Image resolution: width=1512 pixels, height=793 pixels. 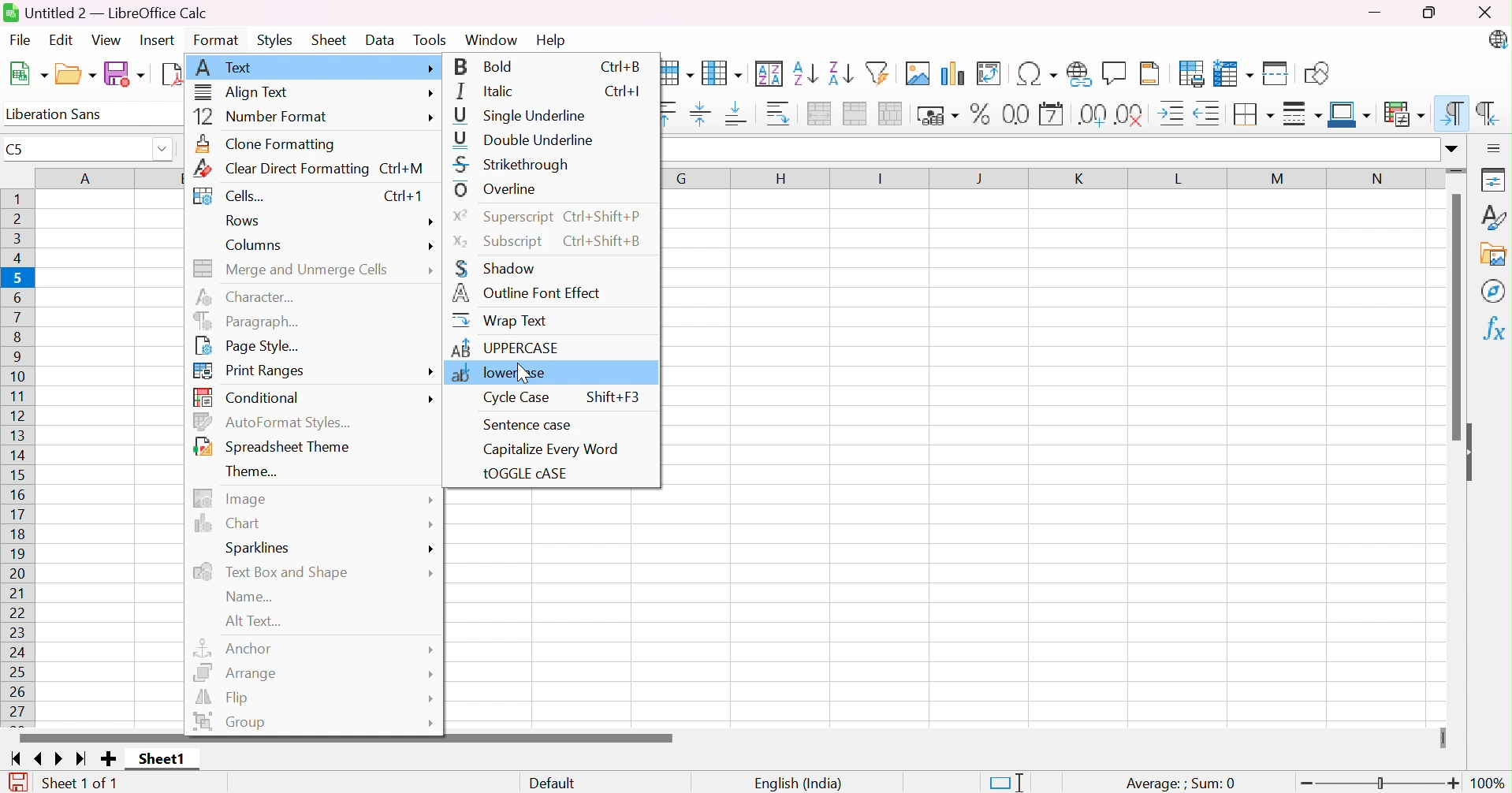 I want to click on Italic, so click(x=483, y=91).